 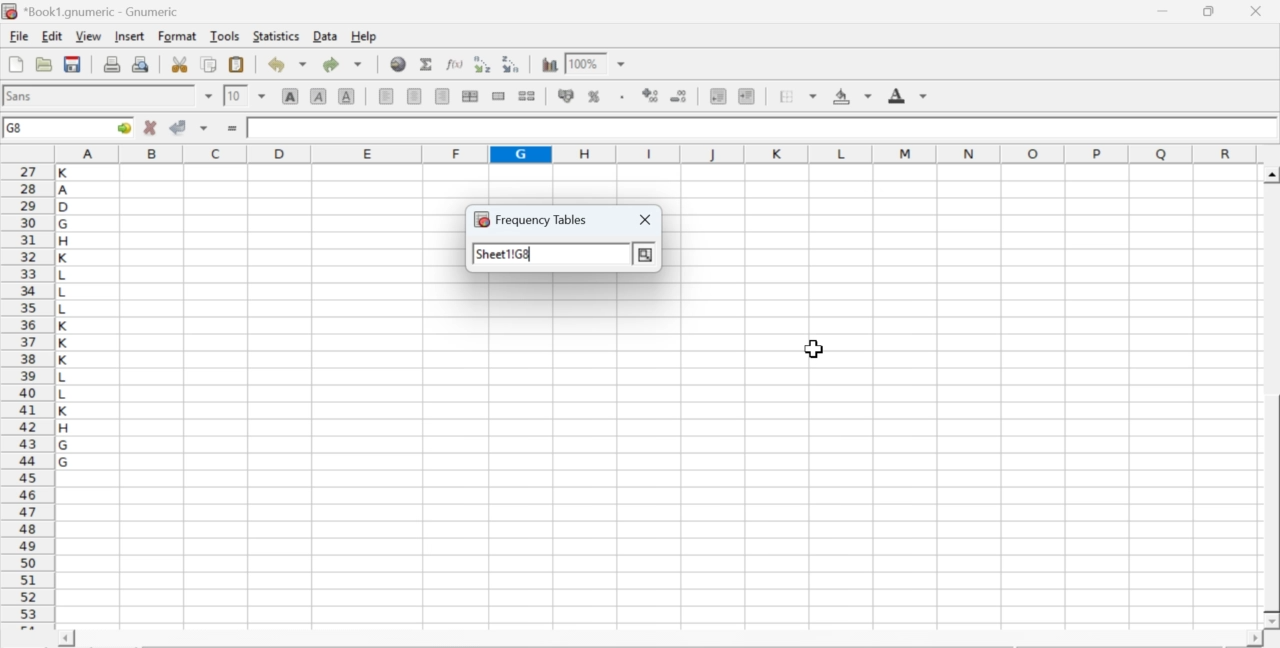 What do you see at coordinates (320, 95) in the screenshot?
I see `italic` at bounding box center [320, 95].